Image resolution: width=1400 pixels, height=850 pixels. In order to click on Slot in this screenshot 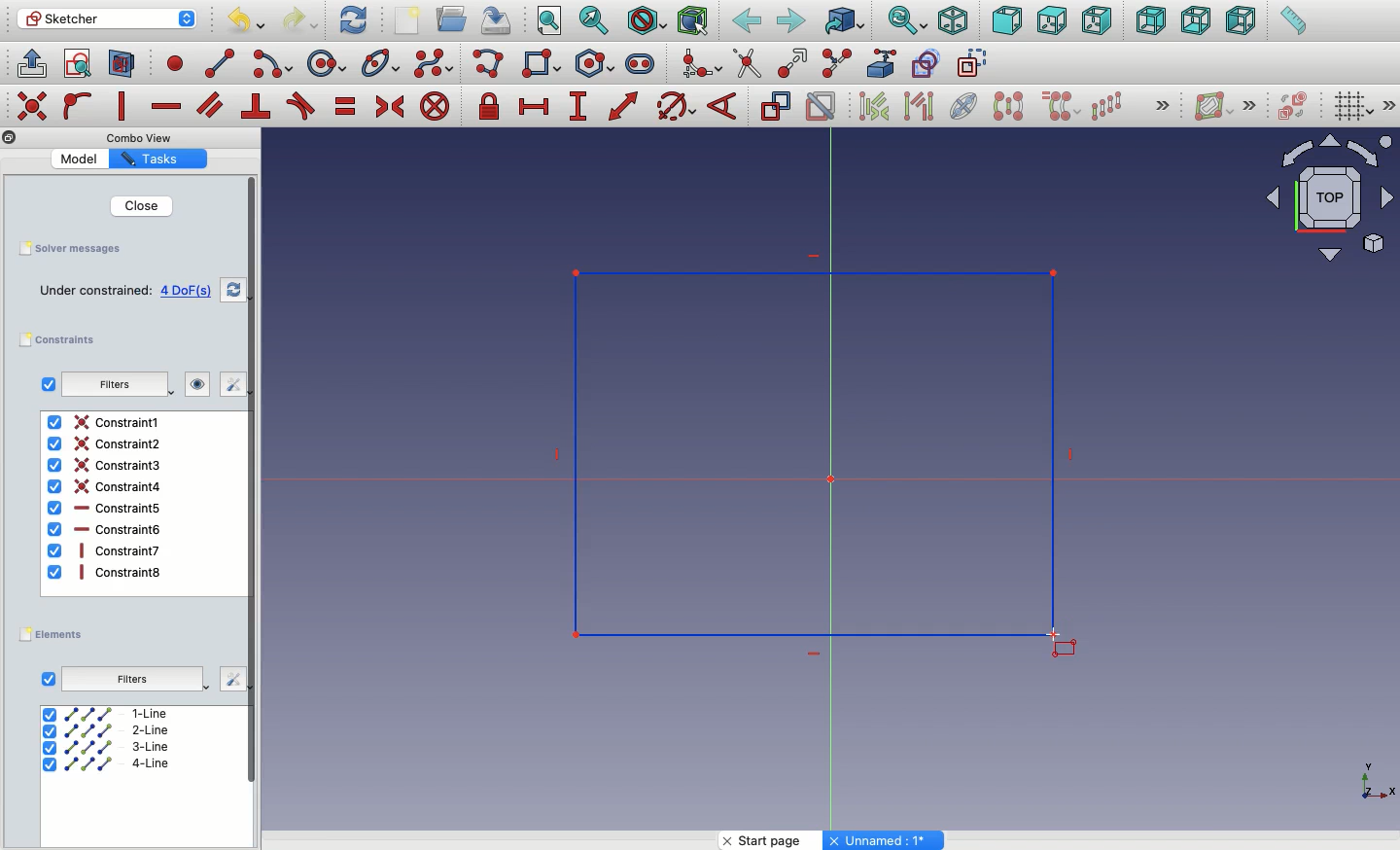, I will do `click(642, 63)`.